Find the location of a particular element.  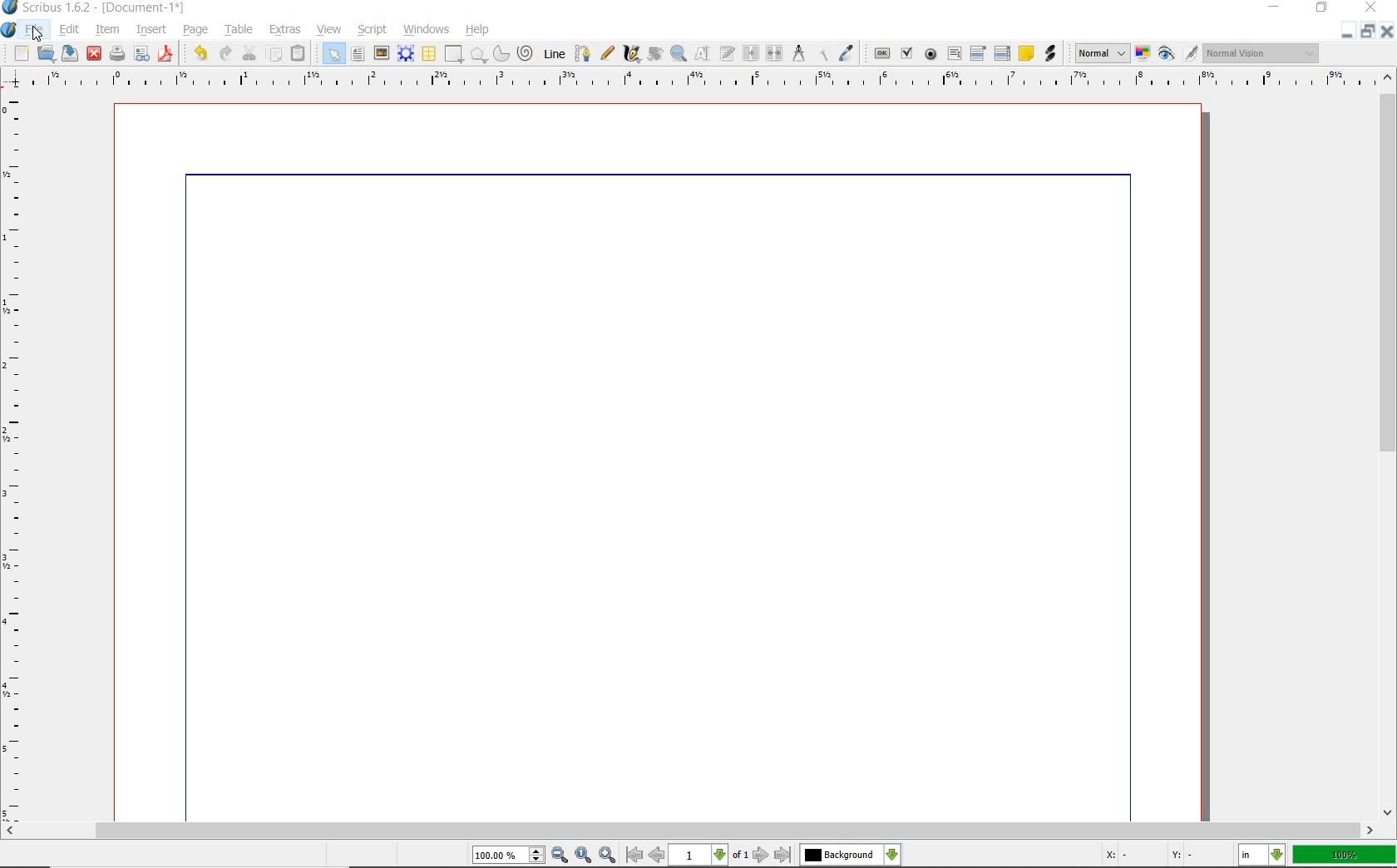

redo is located at coordinates (227, 54).